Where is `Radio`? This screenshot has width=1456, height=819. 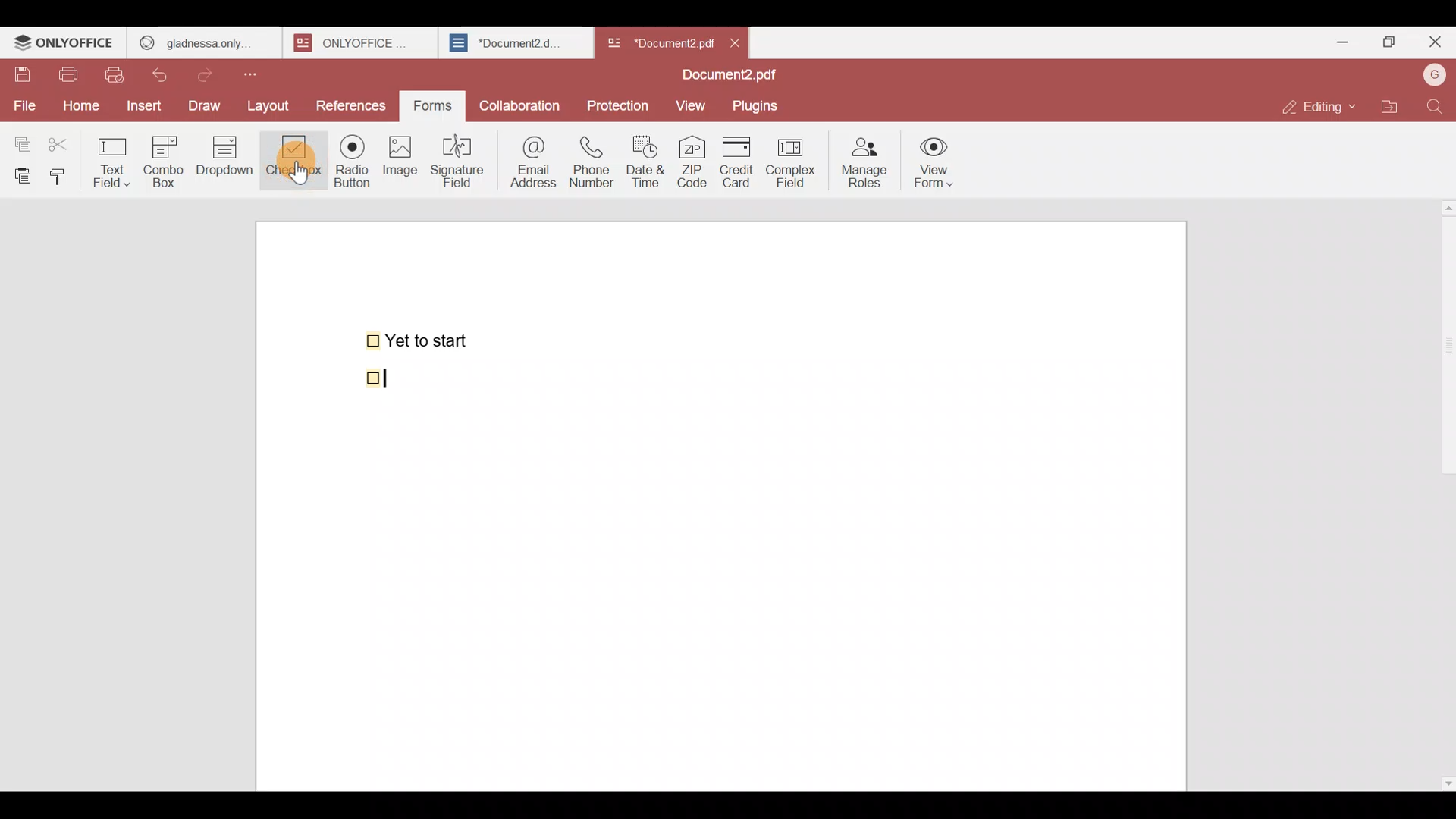
Radio is located at coordinates (347, 165).